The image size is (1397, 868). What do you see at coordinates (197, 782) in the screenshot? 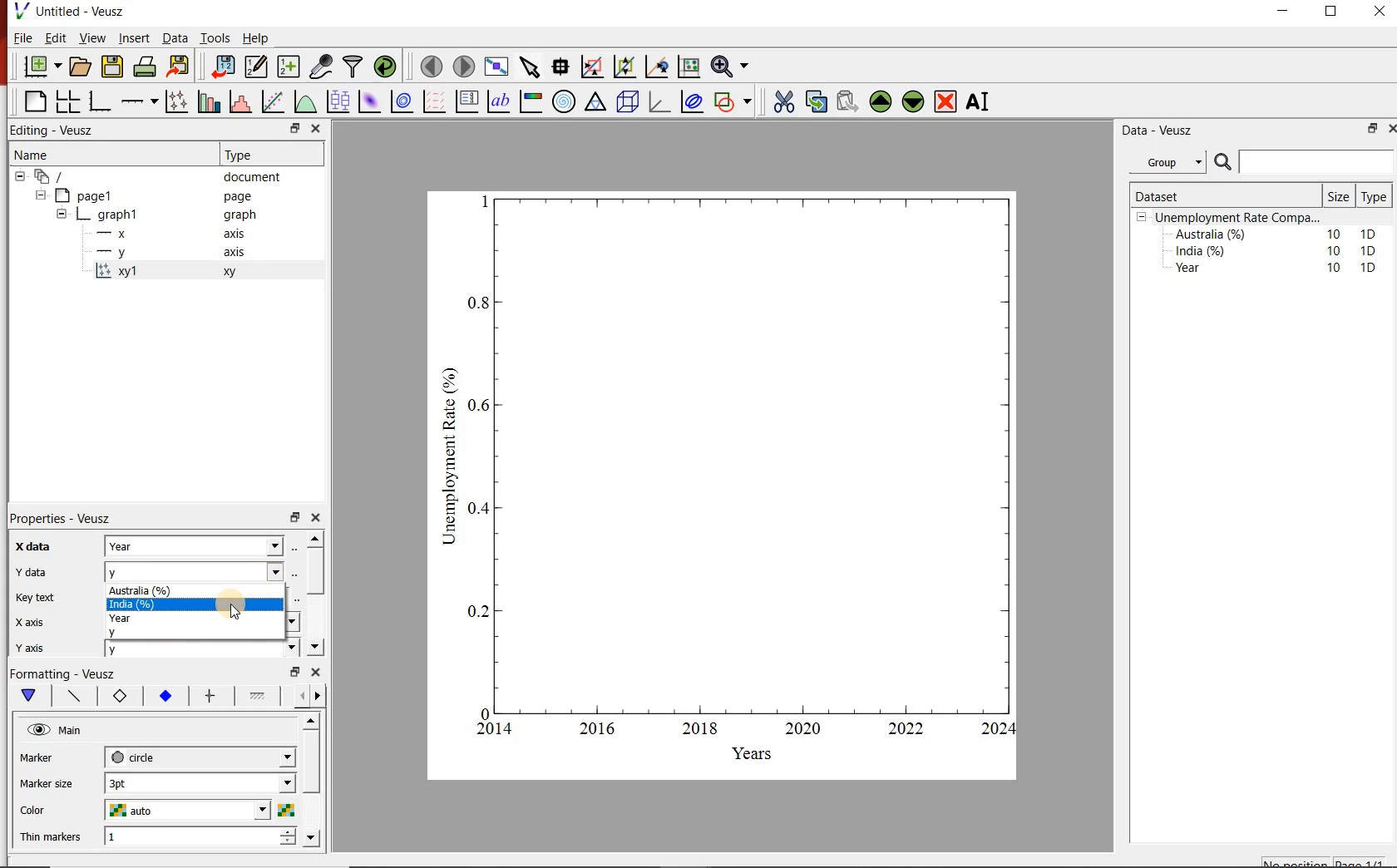
I see `1 pt` at bounding box center [197, 782].